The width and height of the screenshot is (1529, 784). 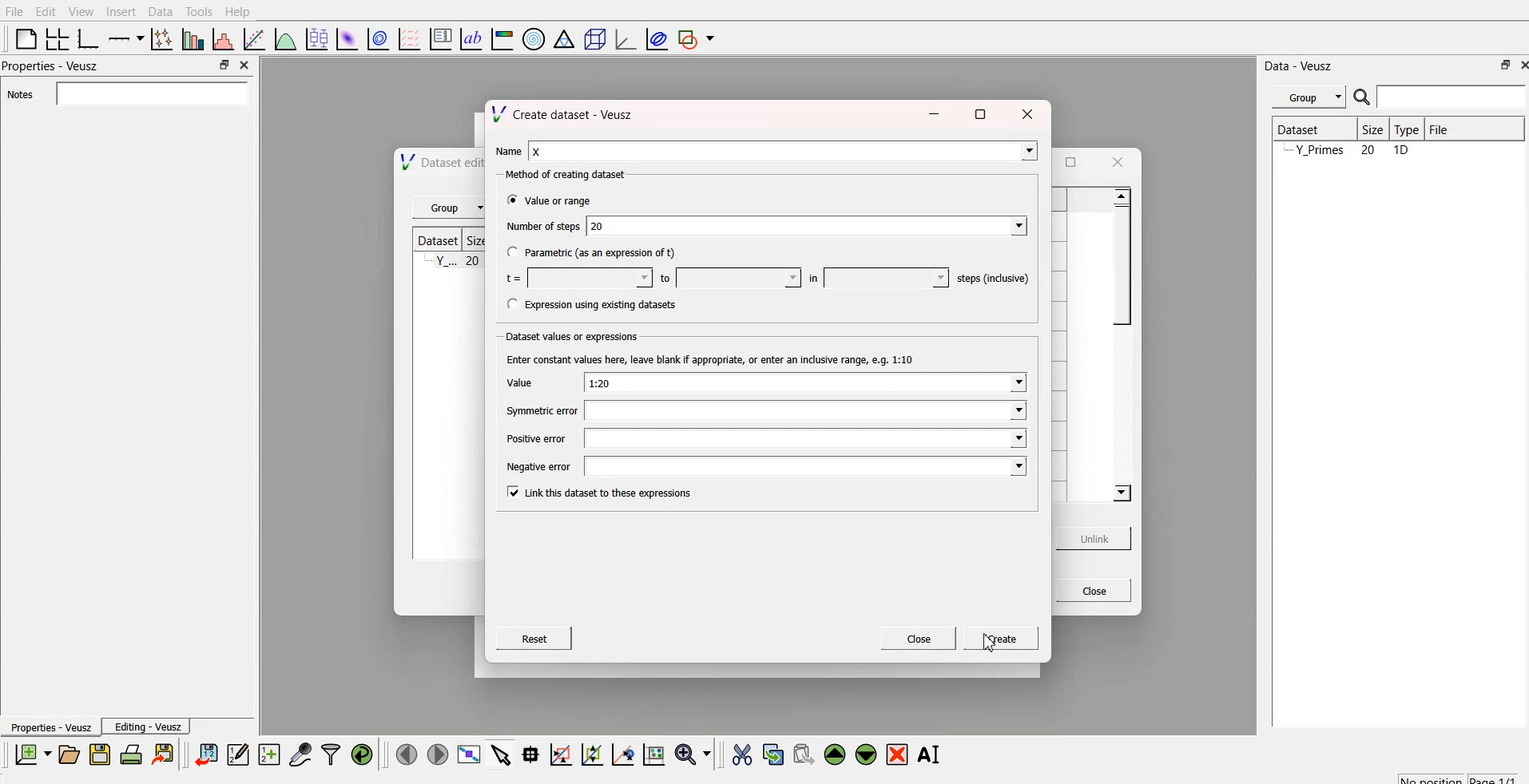 What do you see at coordinates (772, 754) in the screenshot?
I see `copy the widget` at bounding box center [772, 754].